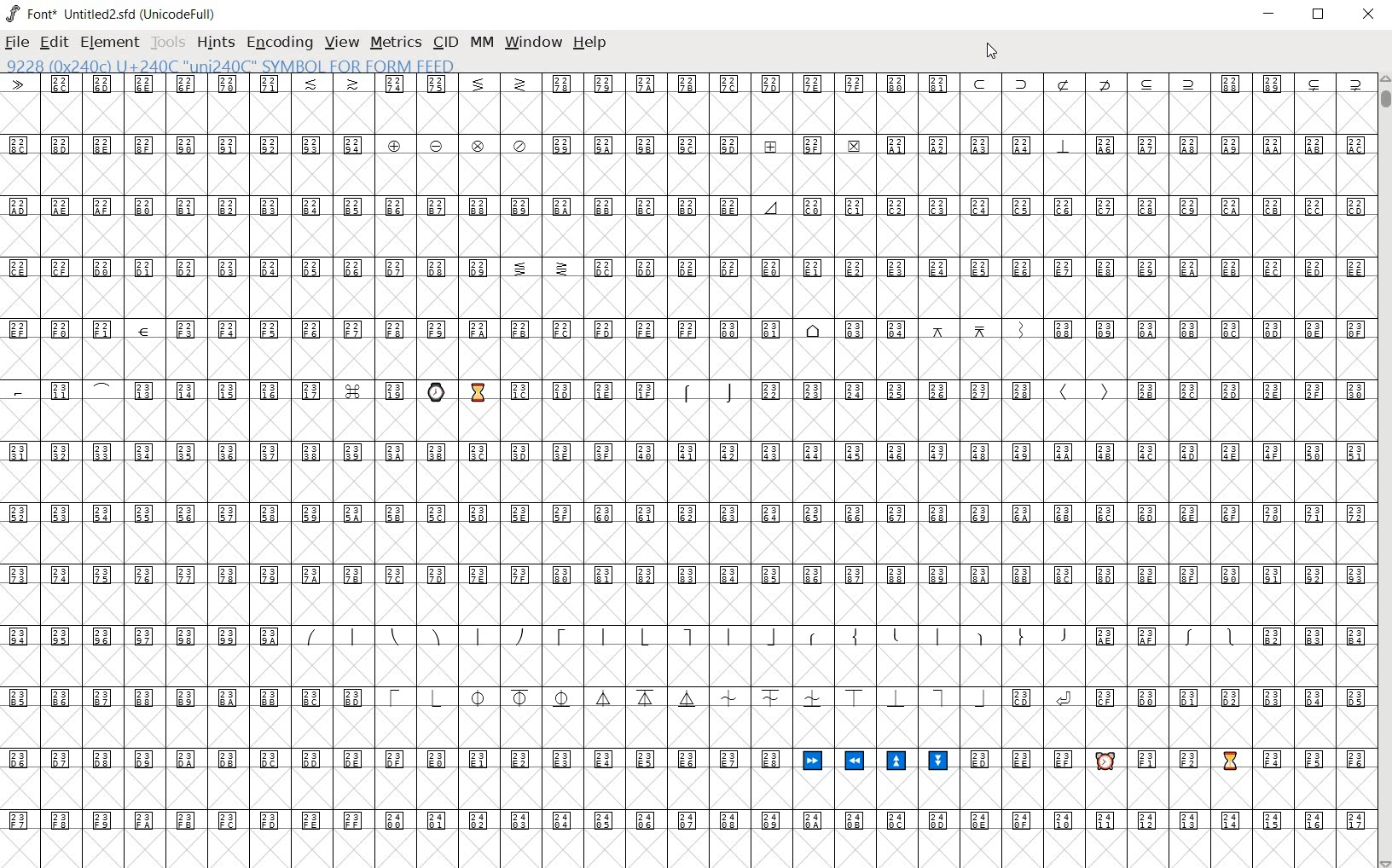 This screenshot has height=868, width=1392. I want to click on edit, so click(53, 43).